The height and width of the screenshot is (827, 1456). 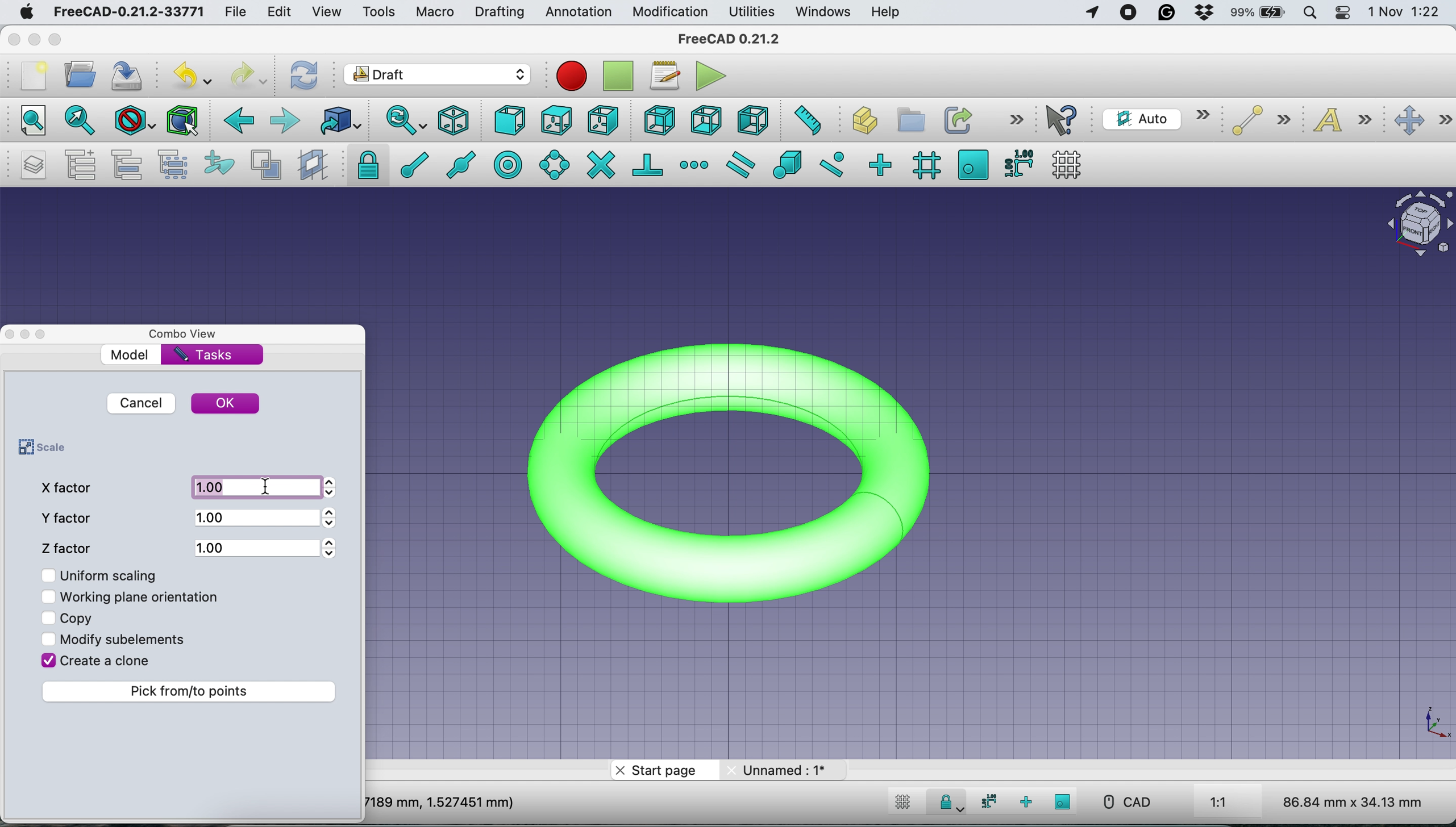 I want to click on cancel, so click(x=140, y=403).